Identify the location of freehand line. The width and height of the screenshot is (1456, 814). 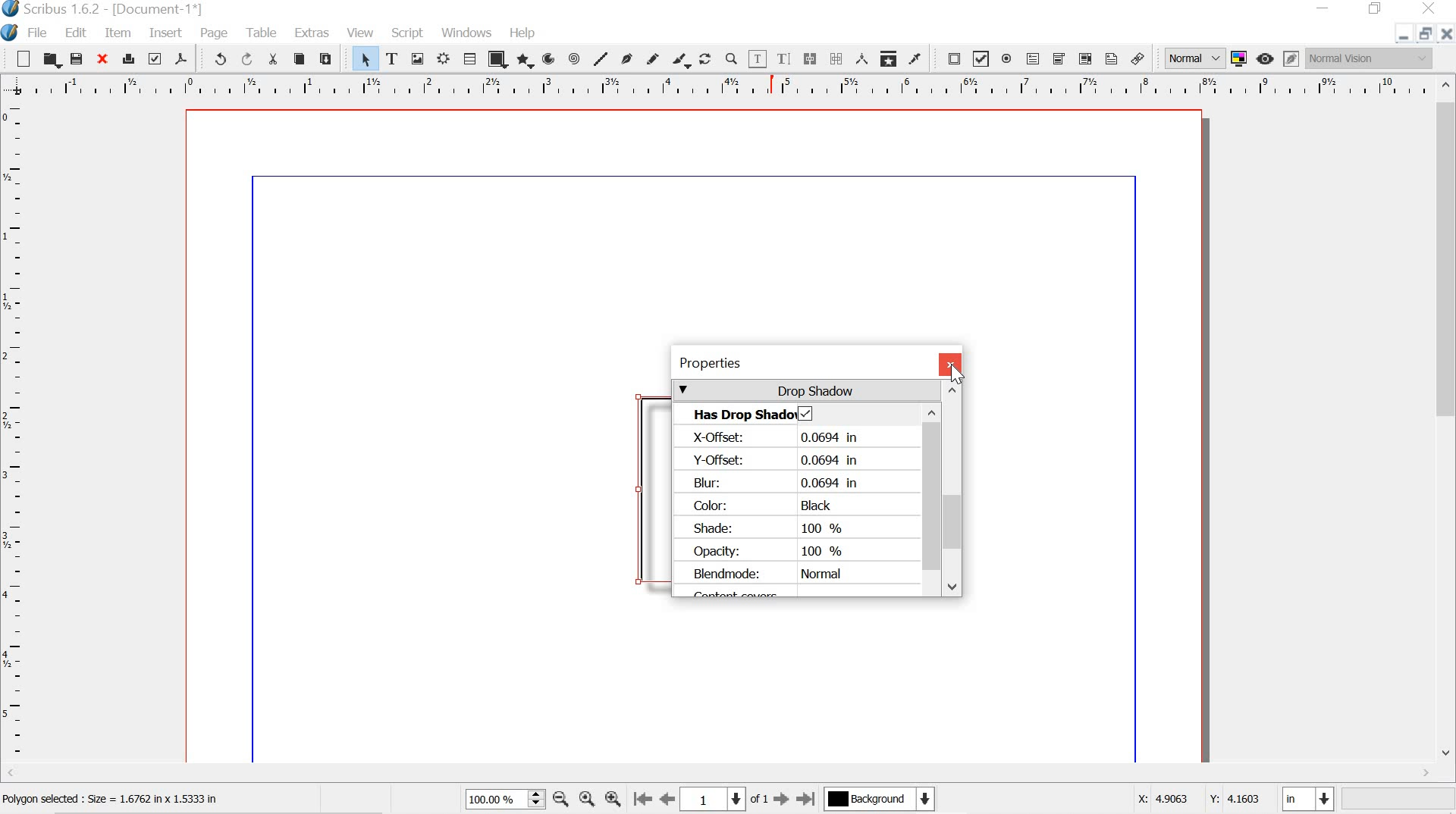
(654, 59).